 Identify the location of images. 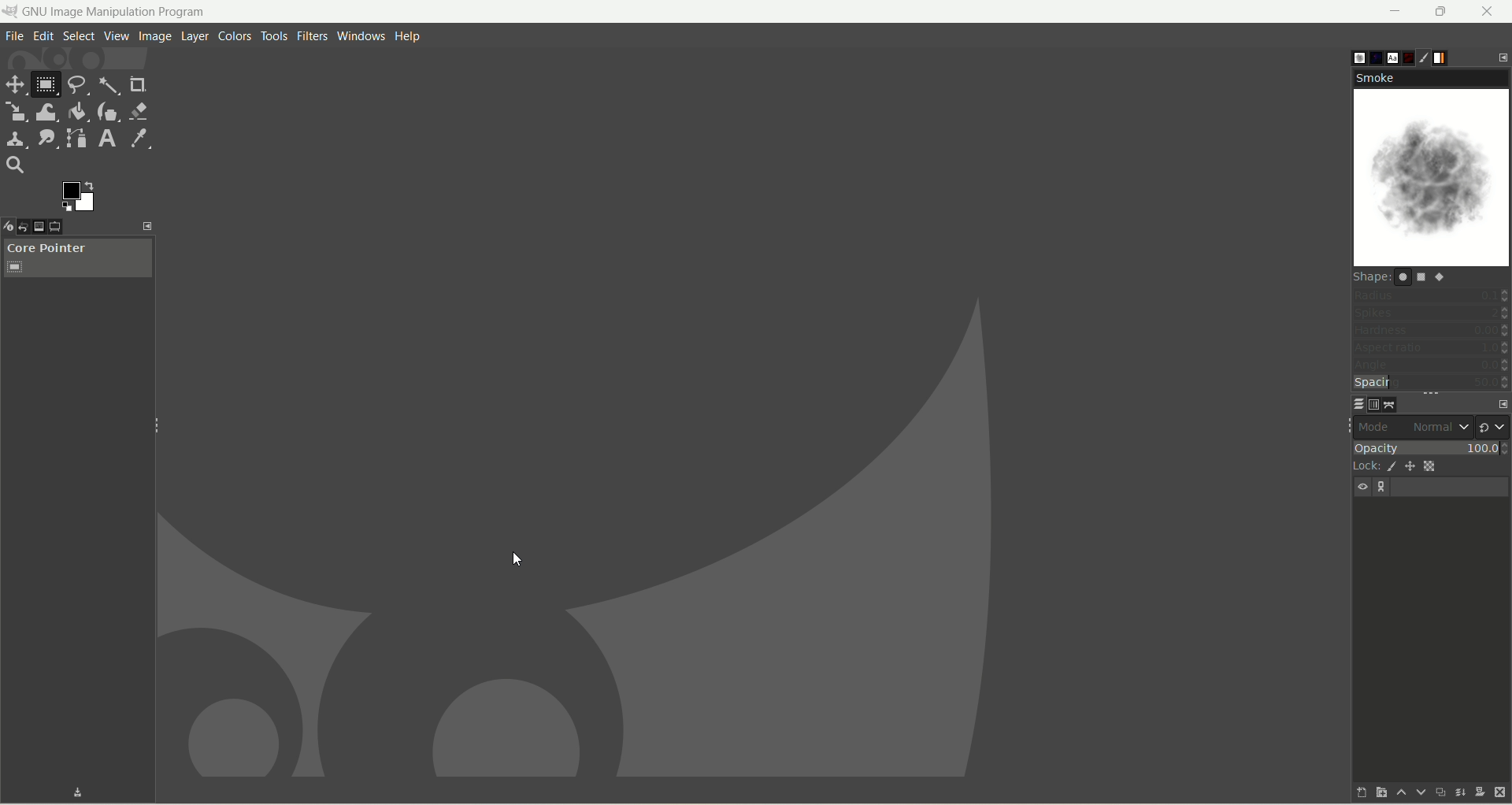
(49, 227).